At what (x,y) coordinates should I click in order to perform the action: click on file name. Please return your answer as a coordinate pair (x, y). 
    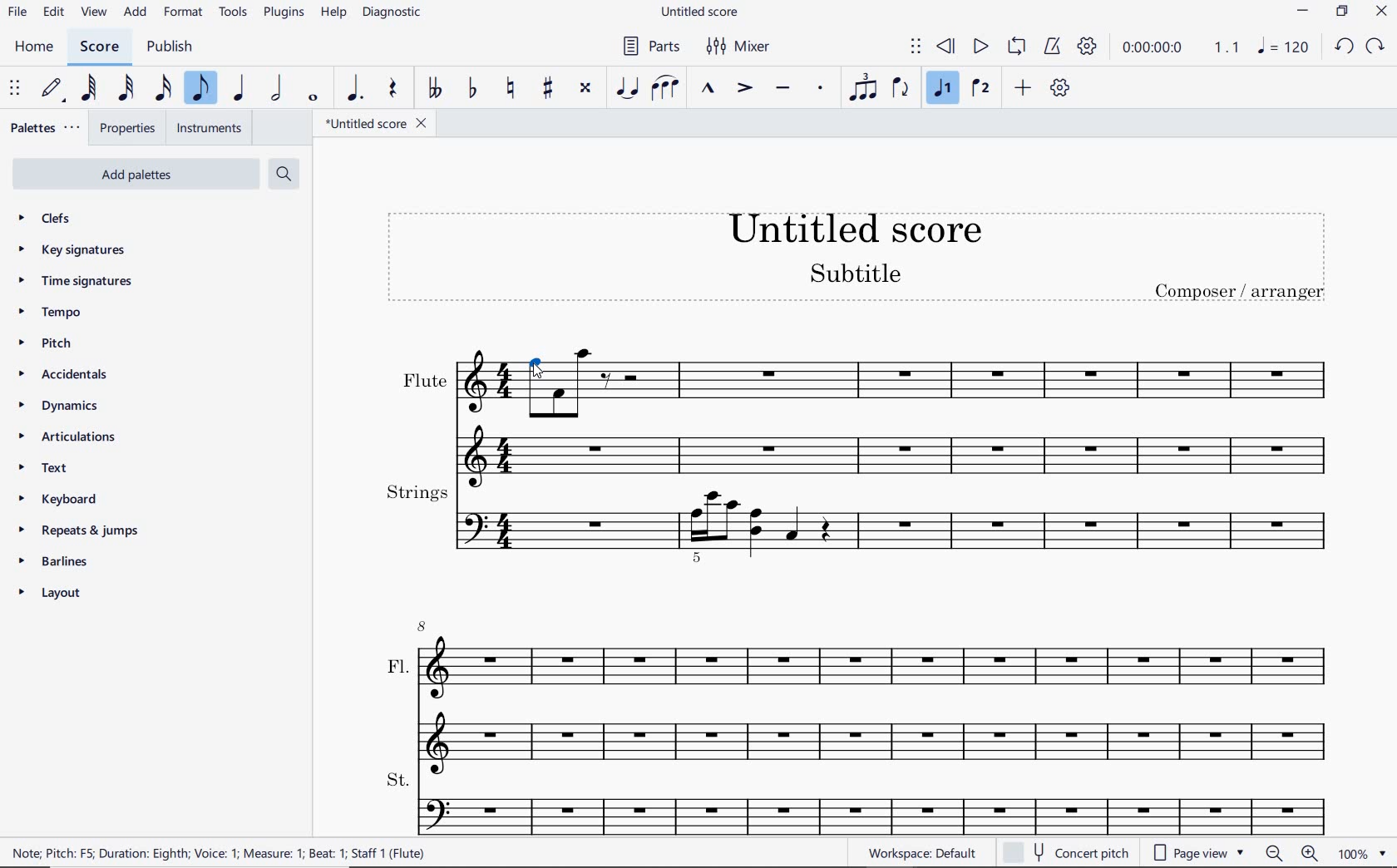
    Looking at the image, I should click on (702, 11).